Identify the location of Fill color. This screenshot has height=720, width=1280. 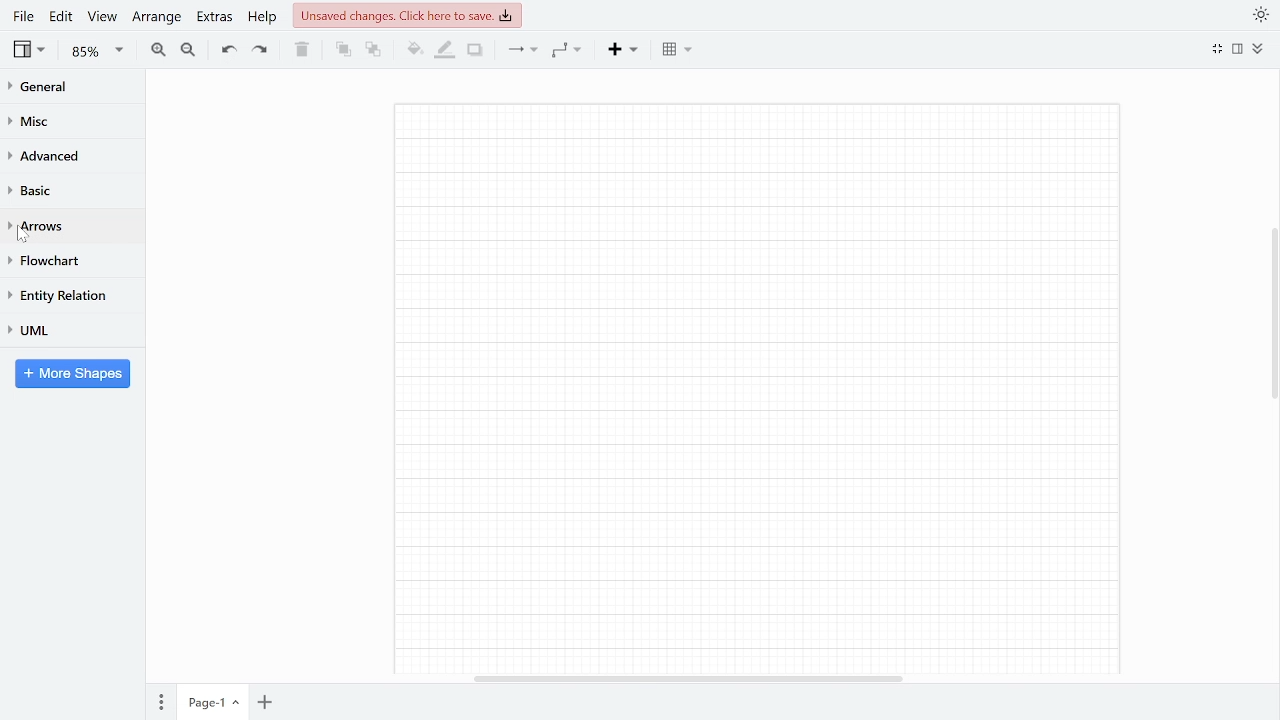
(412, 50).